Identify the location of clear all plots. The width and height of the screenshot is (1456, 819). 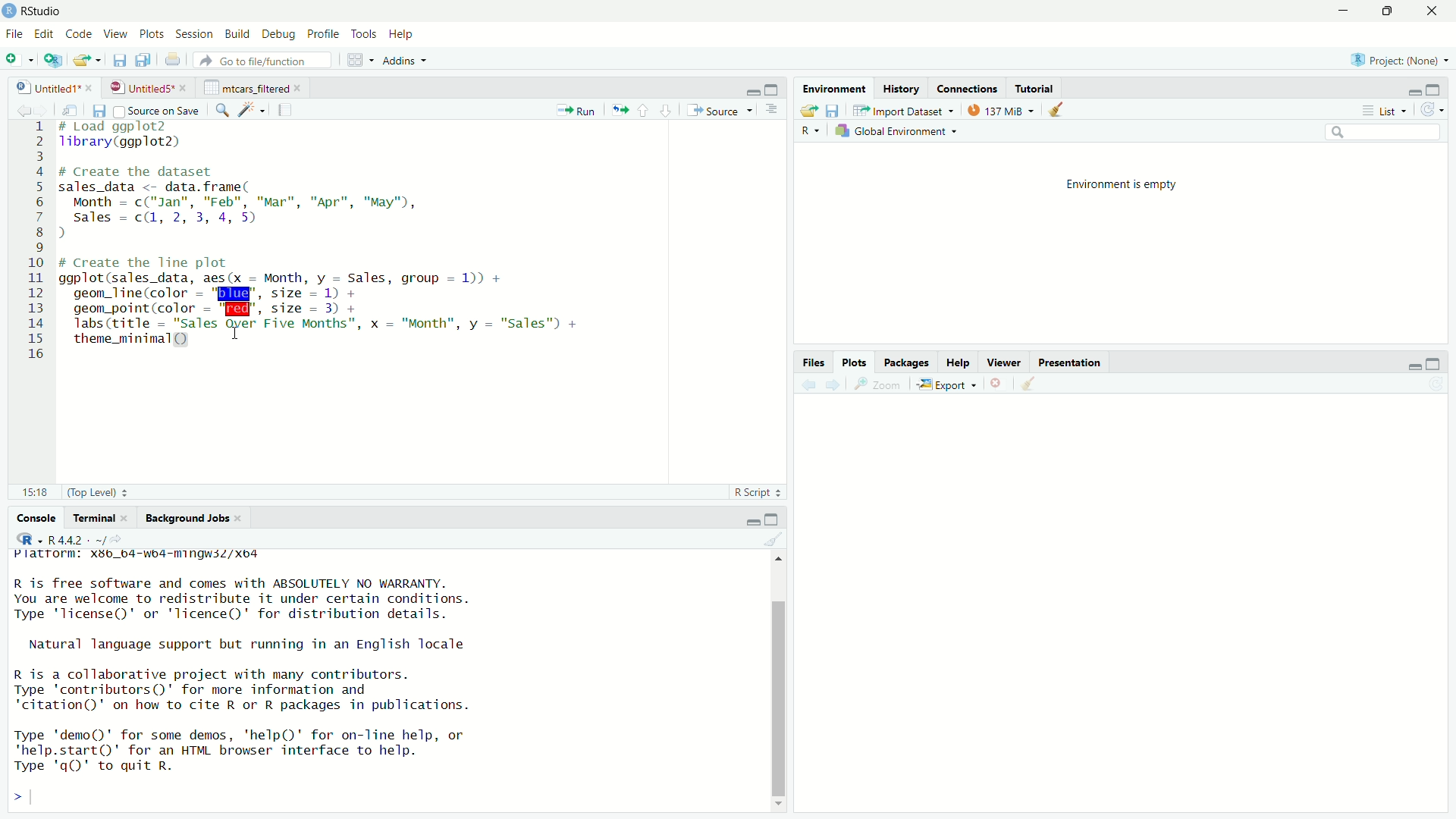
(1029, 383).